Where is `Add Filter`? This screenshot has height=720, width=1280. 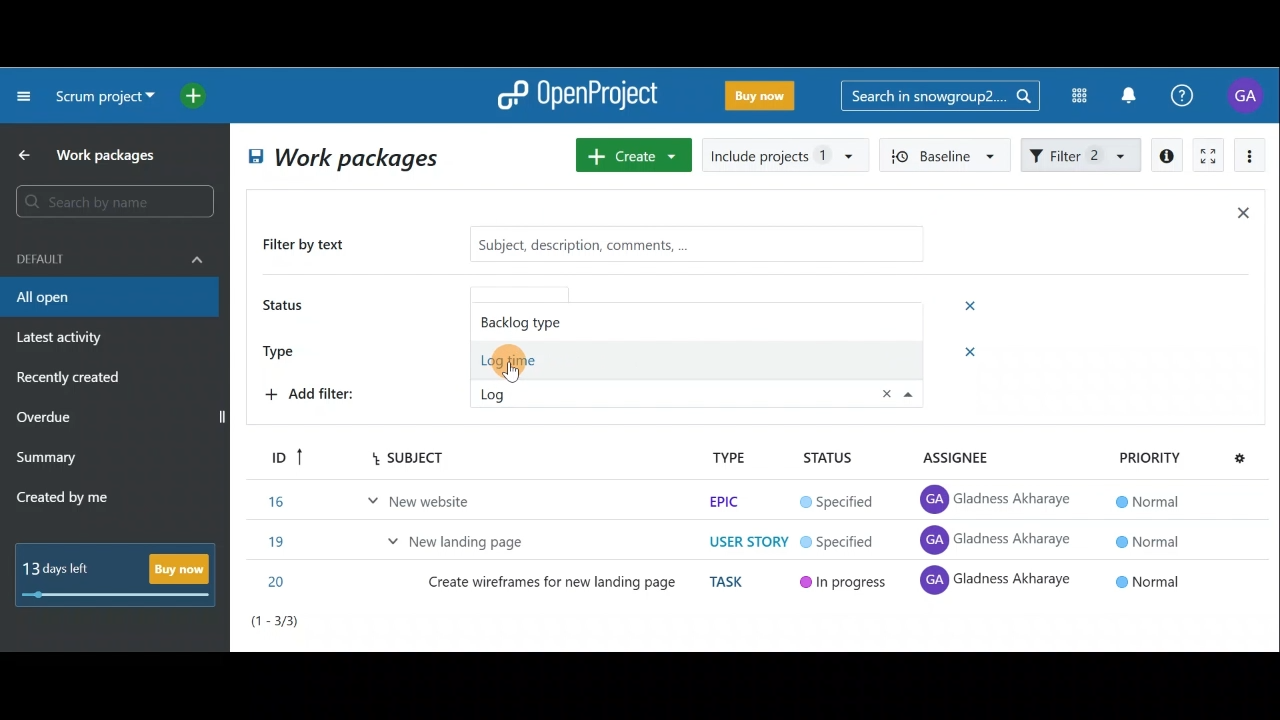 Add Filter is located at coordinates (316, 397).